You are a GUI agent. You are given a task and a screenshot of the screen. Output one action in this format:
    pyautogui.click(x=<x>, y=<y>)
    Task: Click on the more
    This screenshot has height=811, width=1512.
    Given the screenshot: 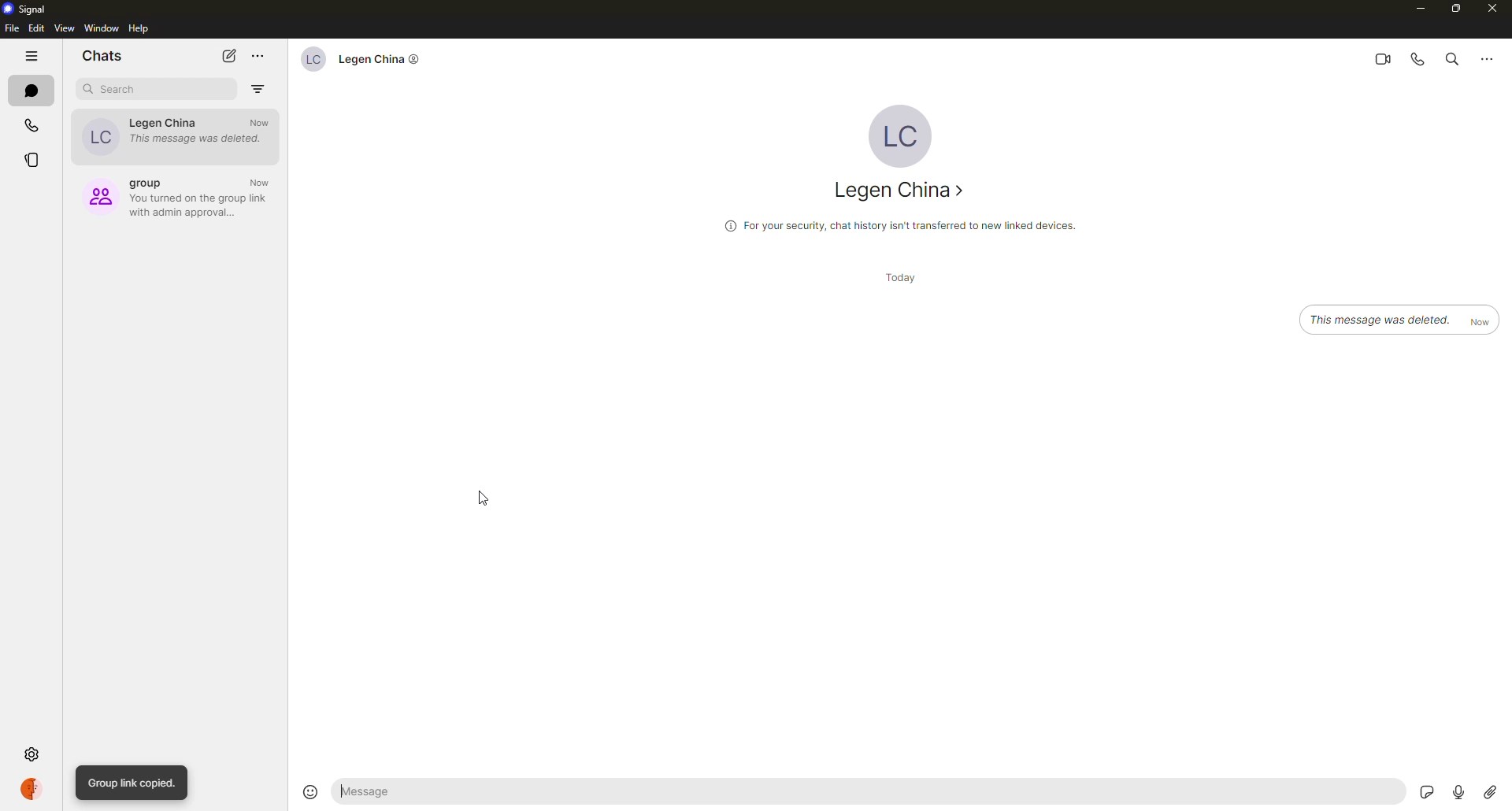 What is the action you would take?
    pyautogui.click(x=258, y=56)
    